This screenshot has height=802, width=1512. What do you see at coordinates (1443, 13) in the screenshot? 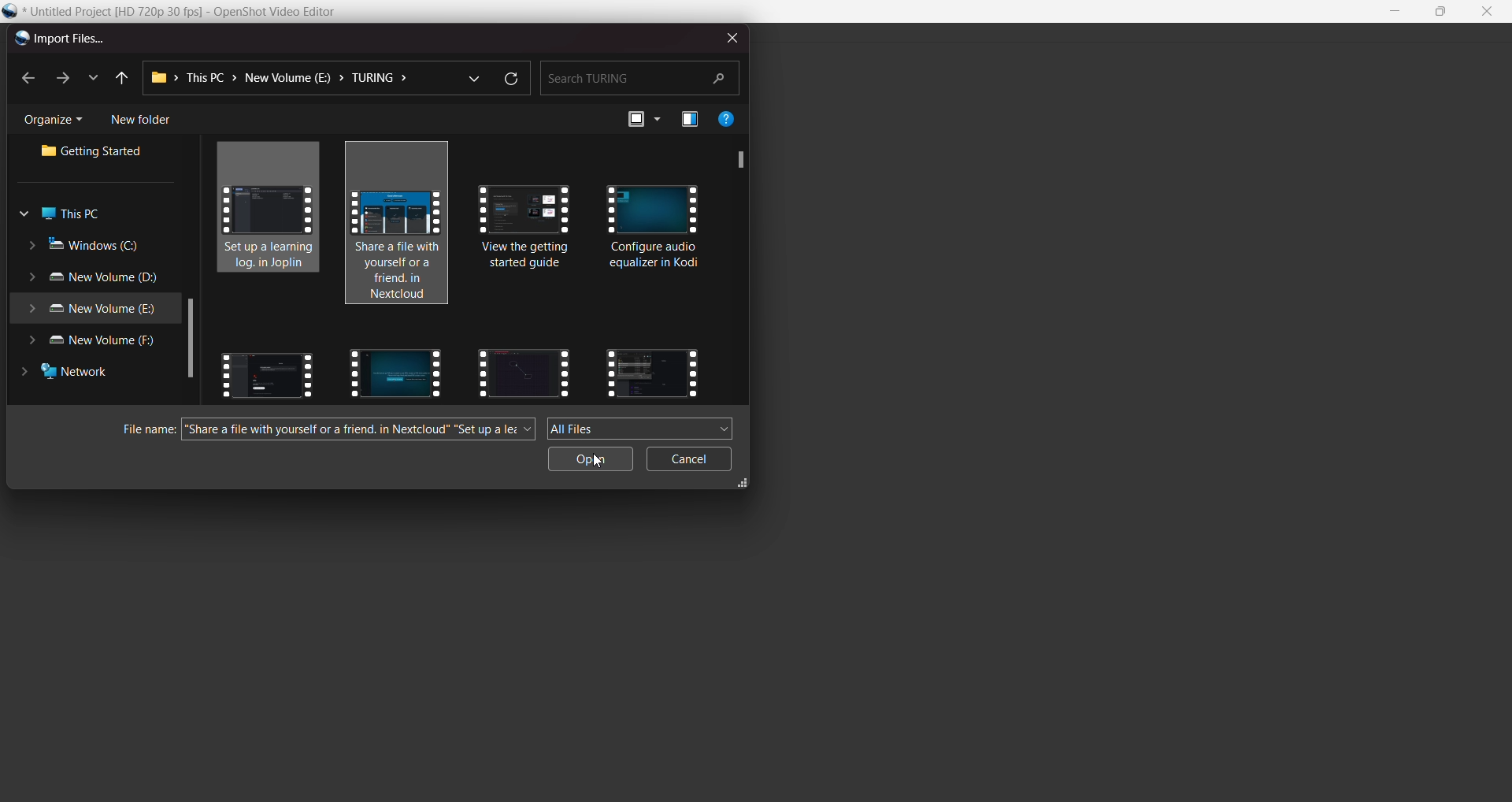
I see `maximise` at bounding box center [1443, 13].